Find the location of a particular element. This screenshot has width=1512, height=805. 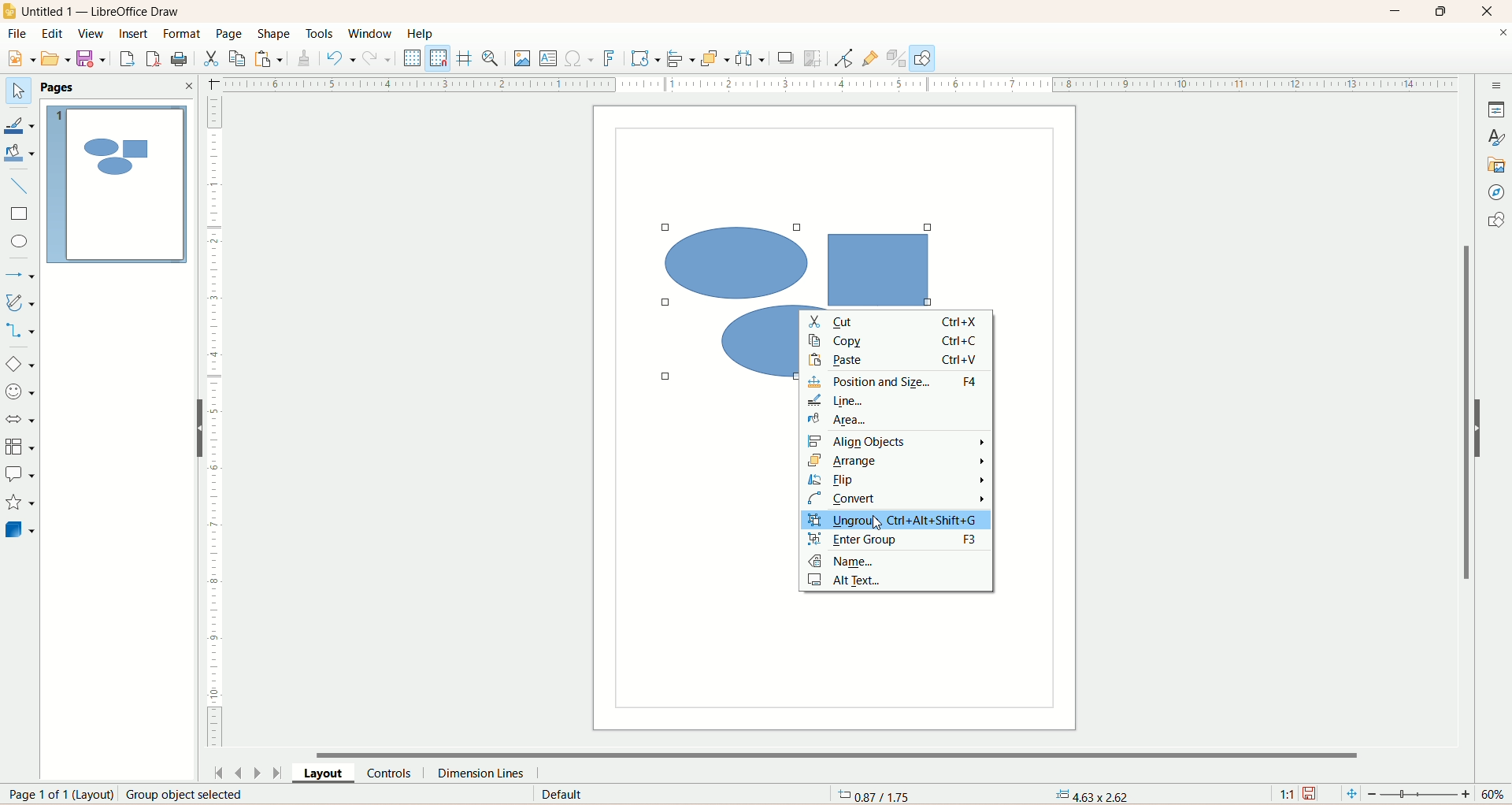

hide is located at coordinates (1478, 428).